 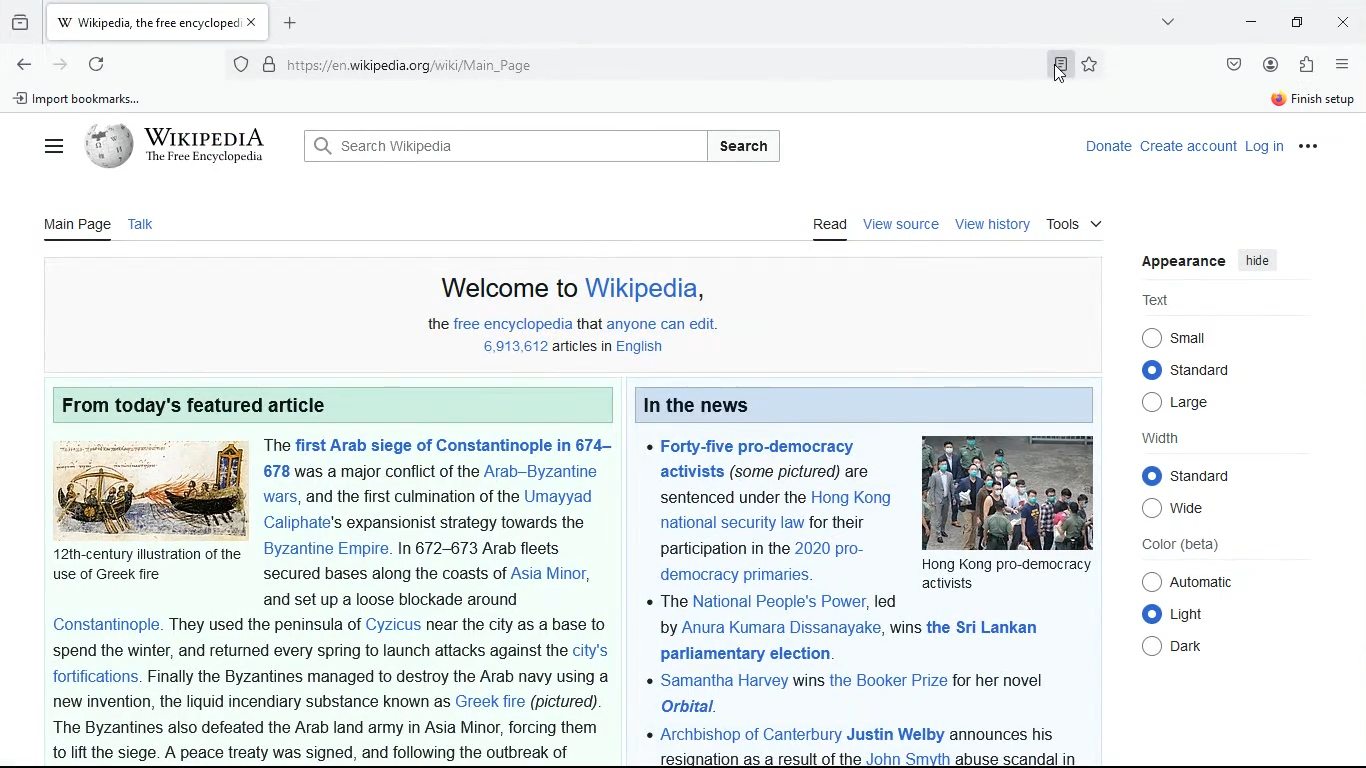 What do you see at coordinates (96, 66) in the screenshot?
I see `refresh` at bounding box center [96, 66].